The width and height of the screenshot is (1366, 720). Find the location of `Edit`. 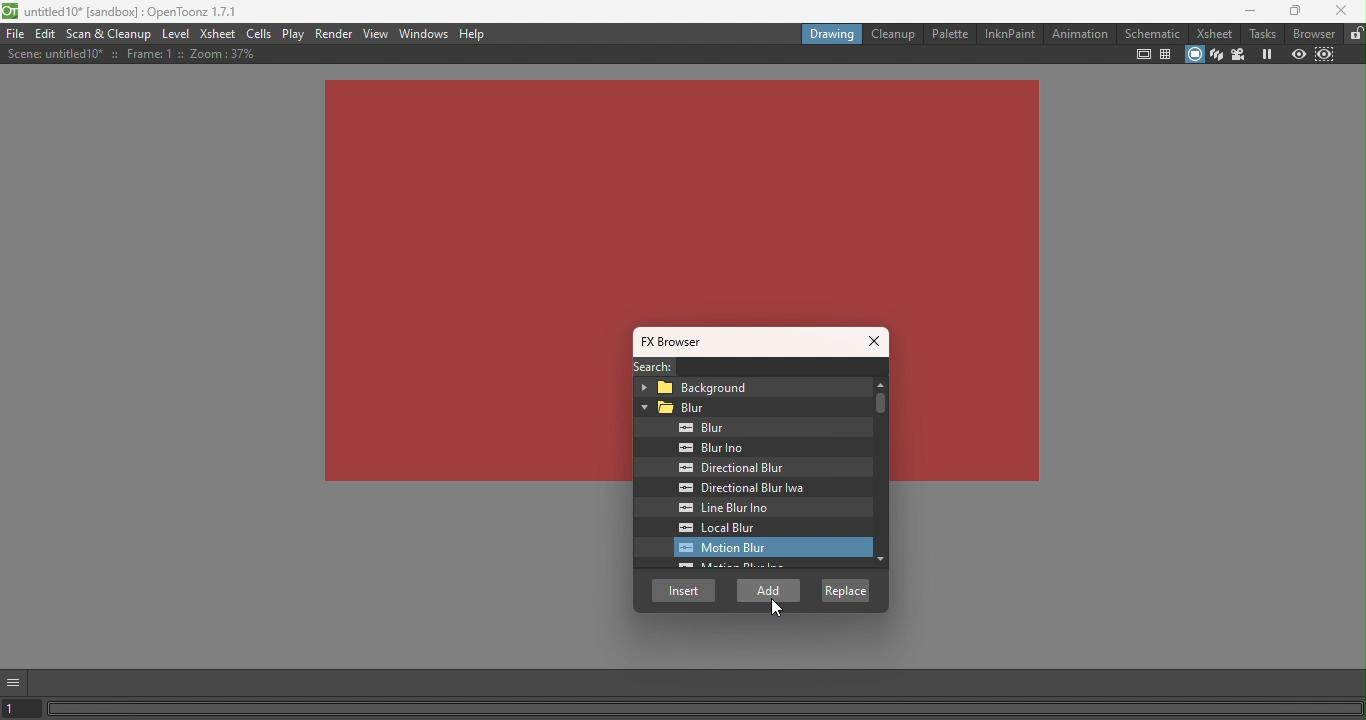

Edit is located at coordinates (47, 35).